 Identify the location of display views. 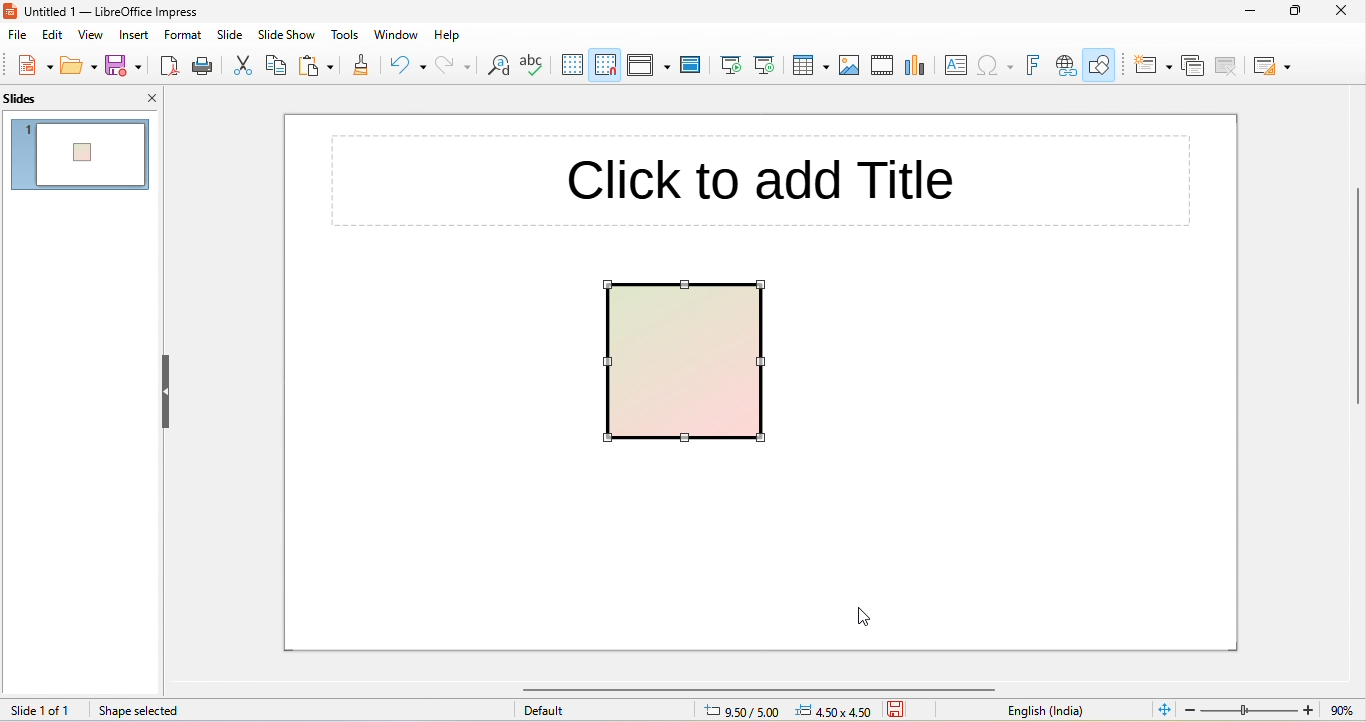
(650, 64).